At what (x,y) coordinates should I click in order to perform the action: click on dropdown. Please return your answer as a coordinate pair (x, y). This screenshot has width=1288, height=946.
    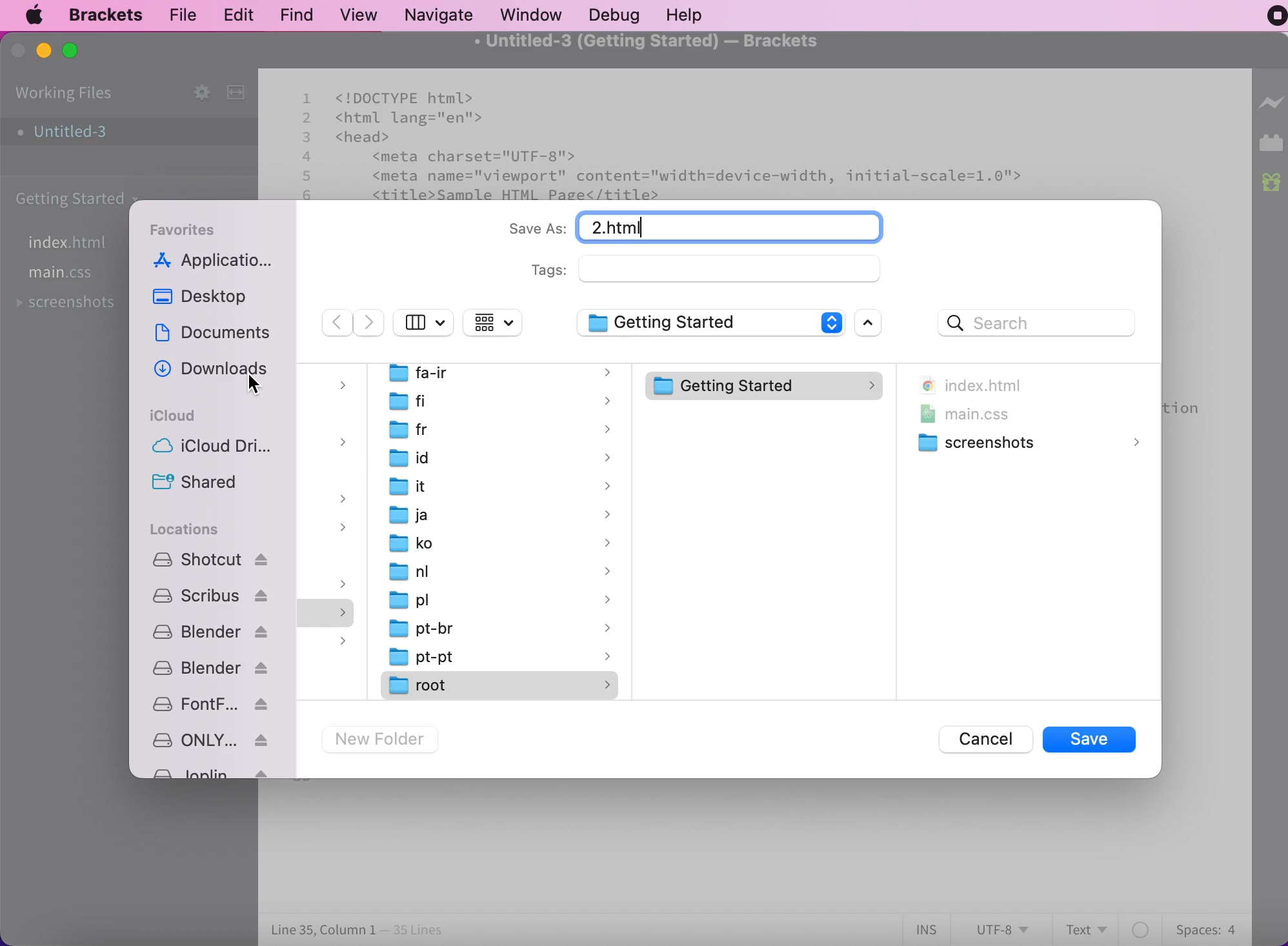
    Looking at the image, I should click on (343, 385).